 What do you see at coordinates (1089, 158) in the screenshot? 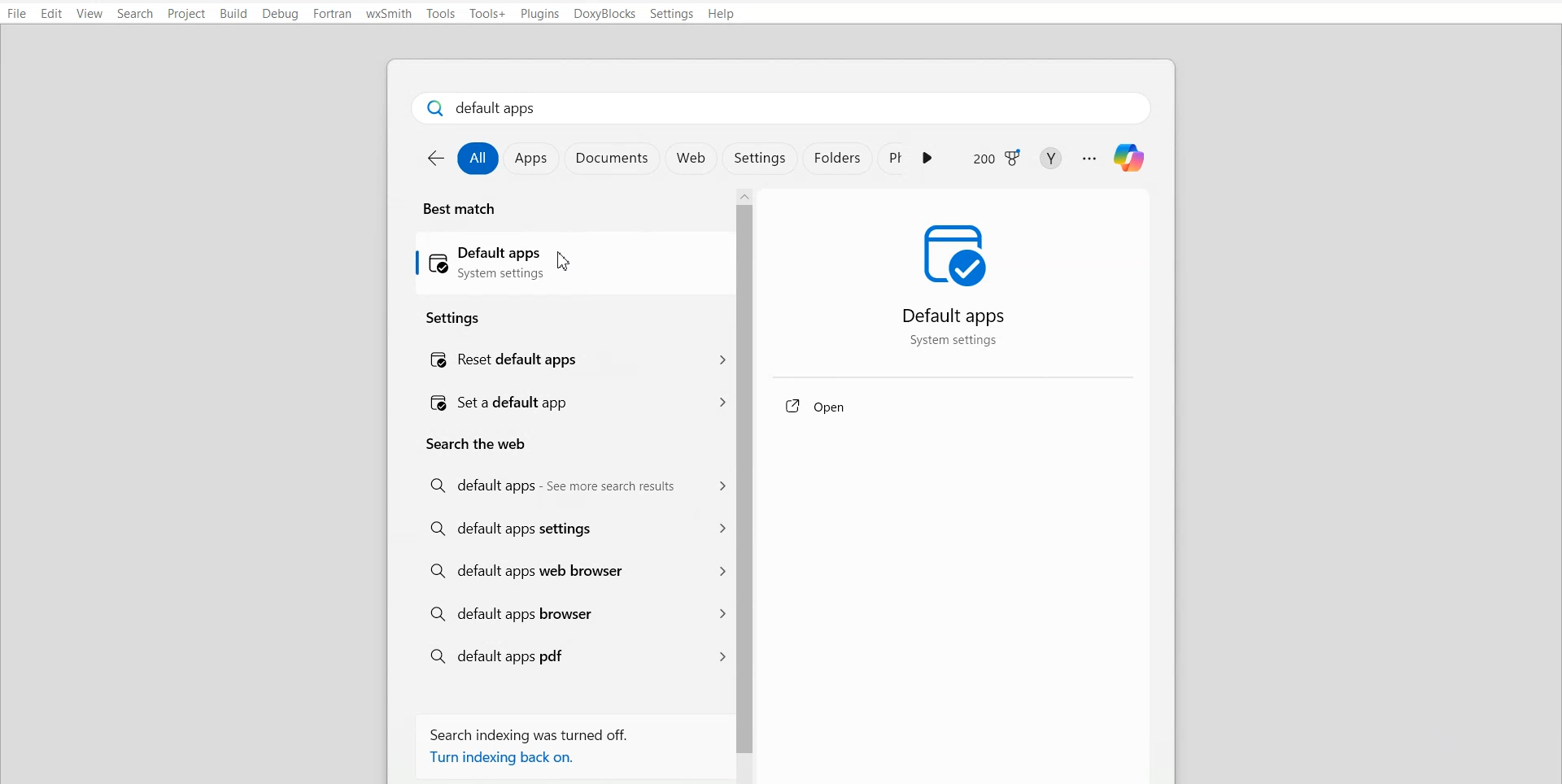
I see `More` at bounding box center [1089, 158].